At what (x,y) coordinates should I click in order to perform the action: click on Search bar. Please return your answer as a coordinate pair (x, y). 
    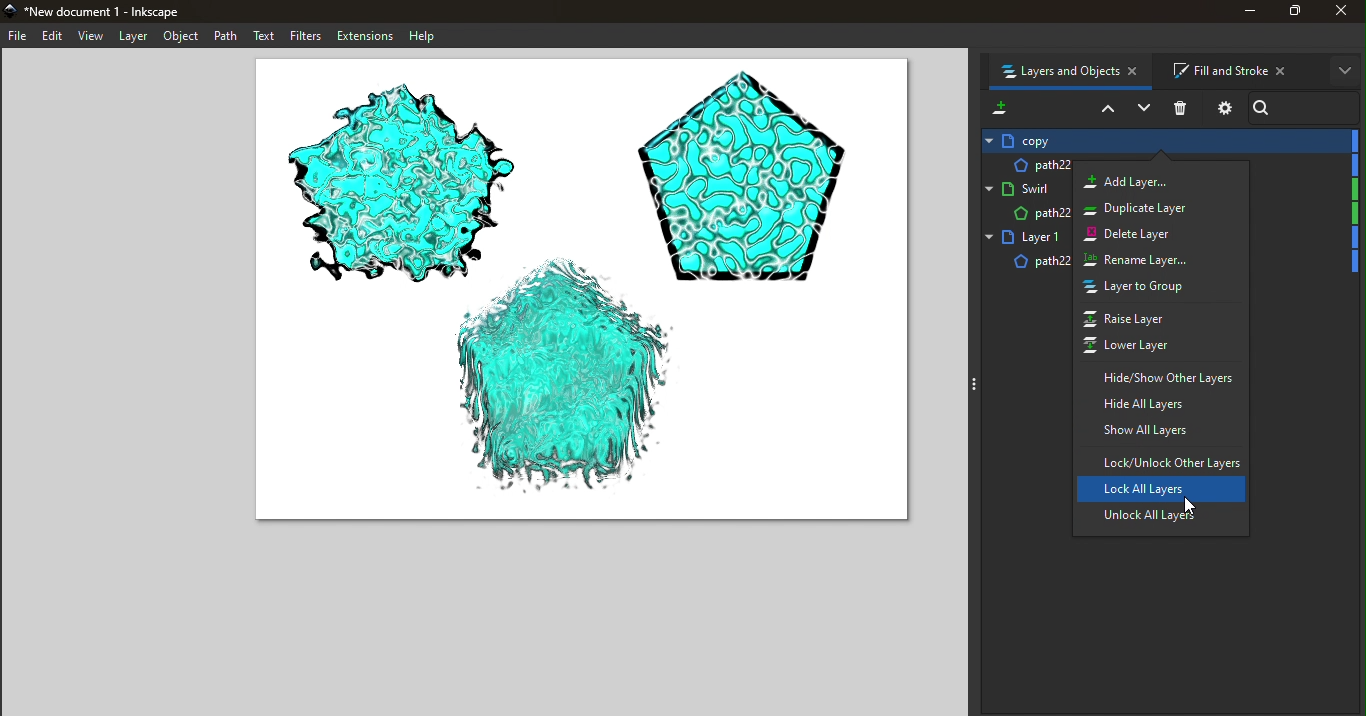
    Looking at the image, I should click on (1308, 106).